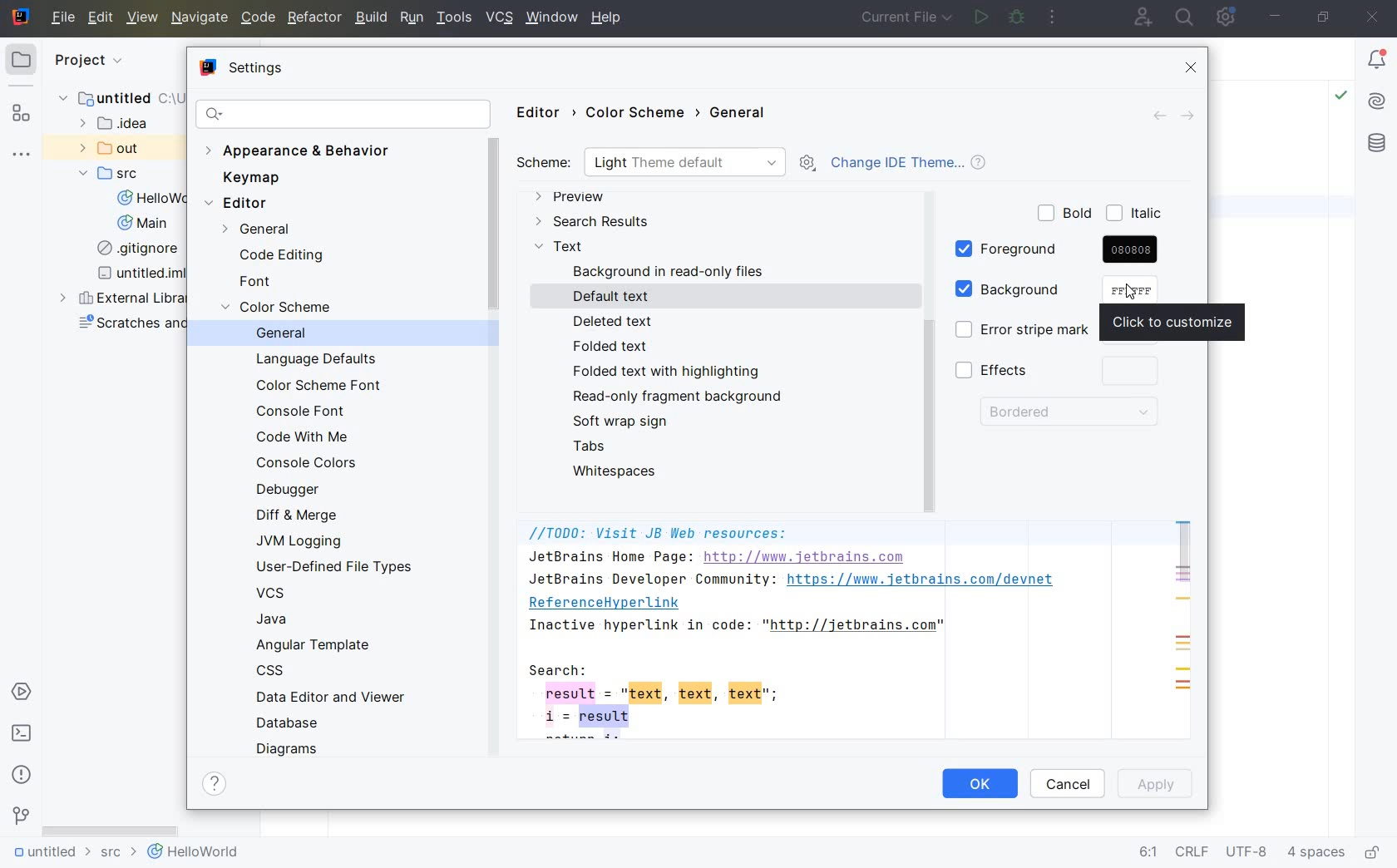 Image resolution: width=1397 pixels, height=868 pixels. I want to click on gitignore, so click(135, 249).